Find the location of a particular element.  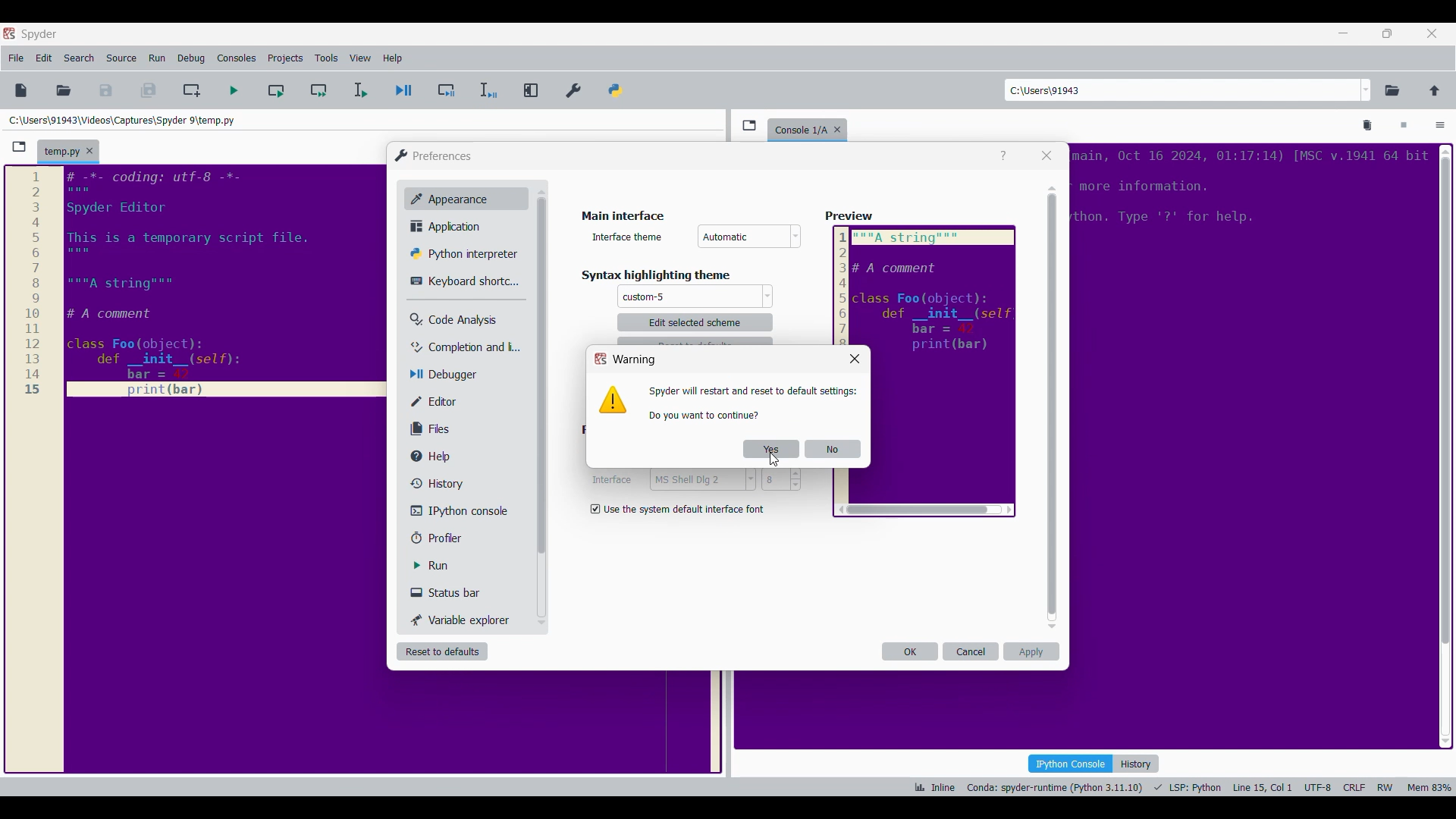

Current code is located at coordinates (196, 284).